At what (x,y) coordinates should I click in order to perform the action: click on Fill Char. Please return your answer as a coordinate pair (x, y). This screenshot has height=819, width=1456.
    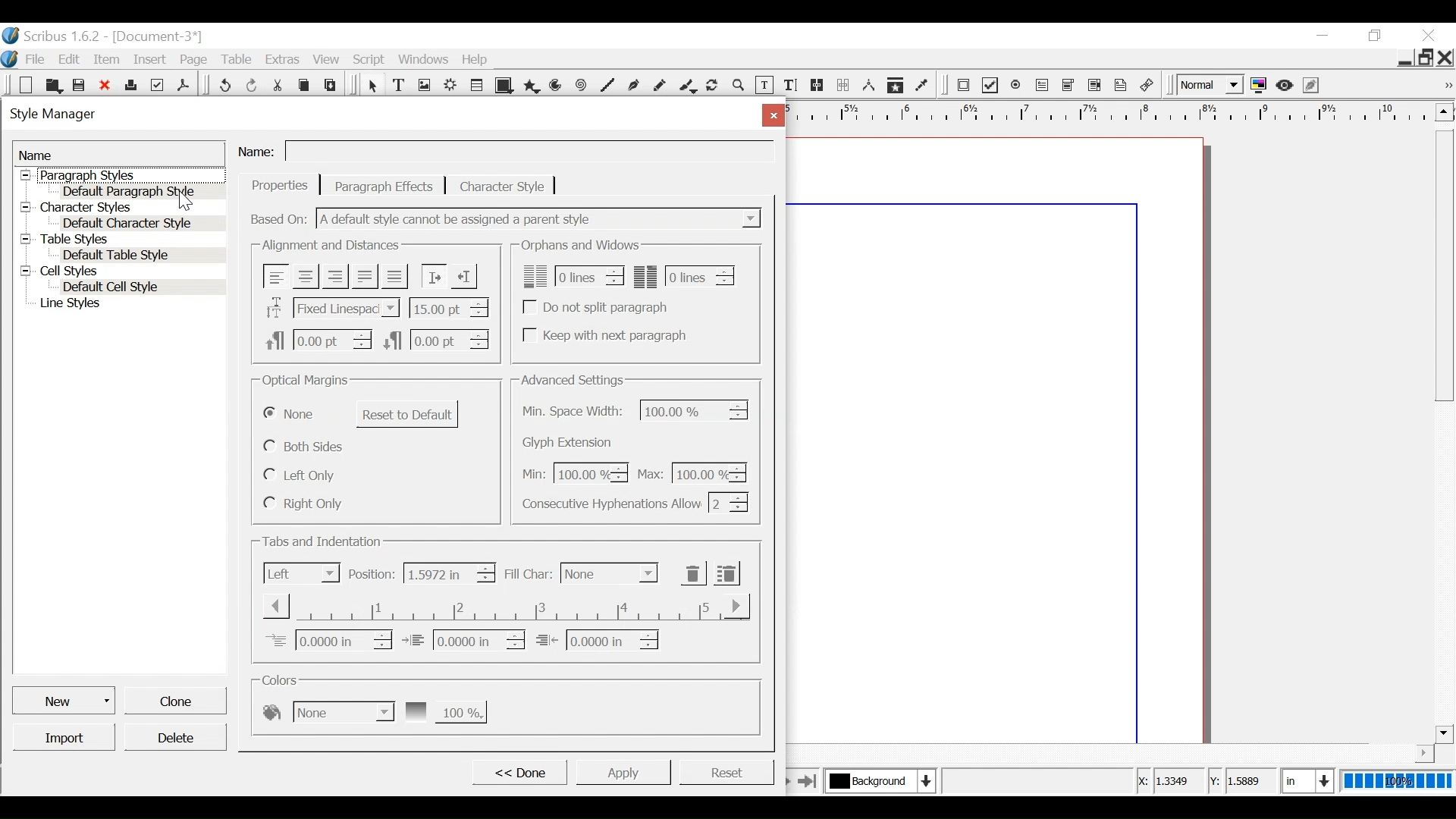
    Looking at the image, I should click on (527, 575).